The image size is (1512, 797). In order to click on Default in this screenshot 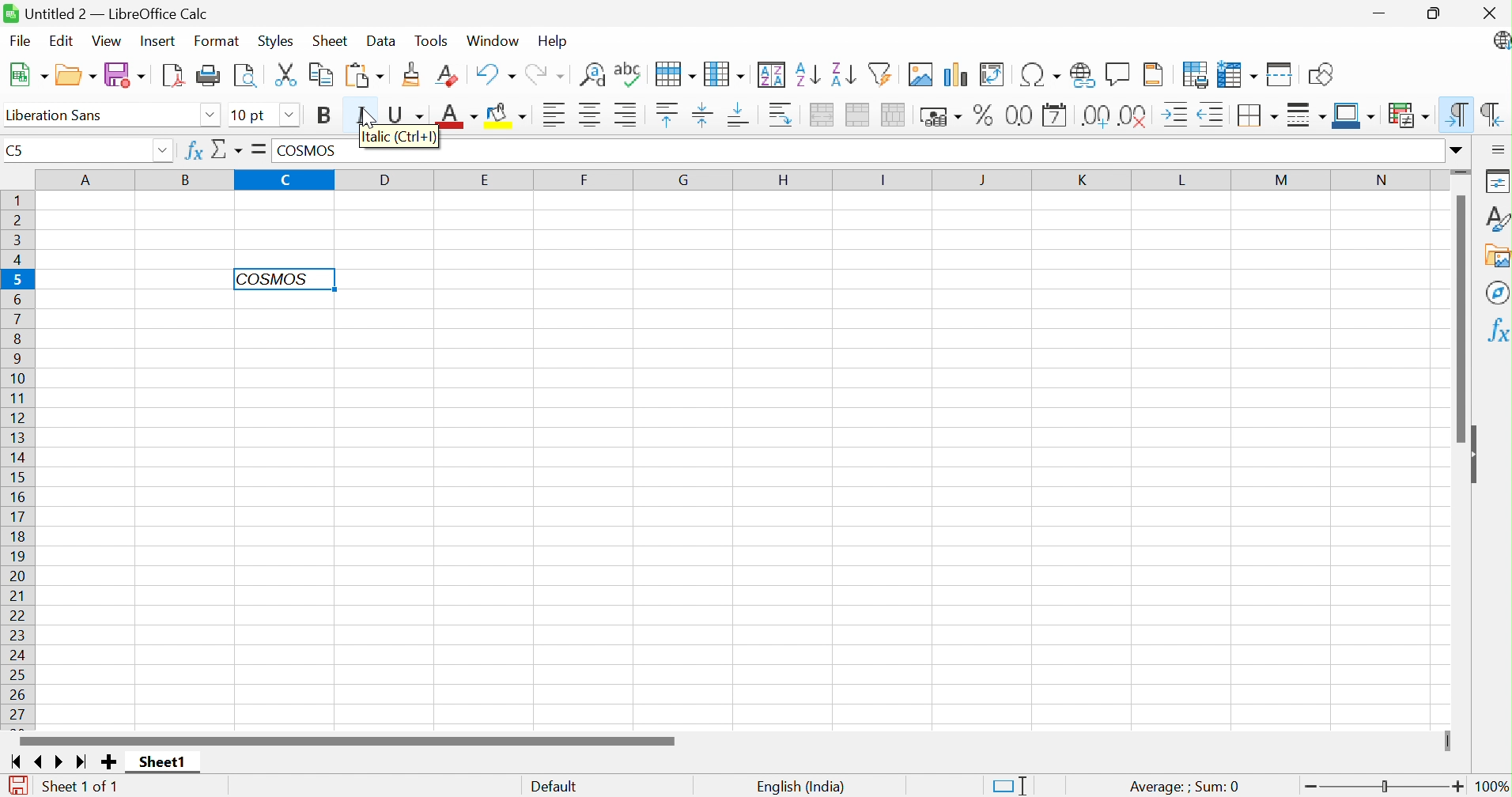, I will do `click(554, 788)`.